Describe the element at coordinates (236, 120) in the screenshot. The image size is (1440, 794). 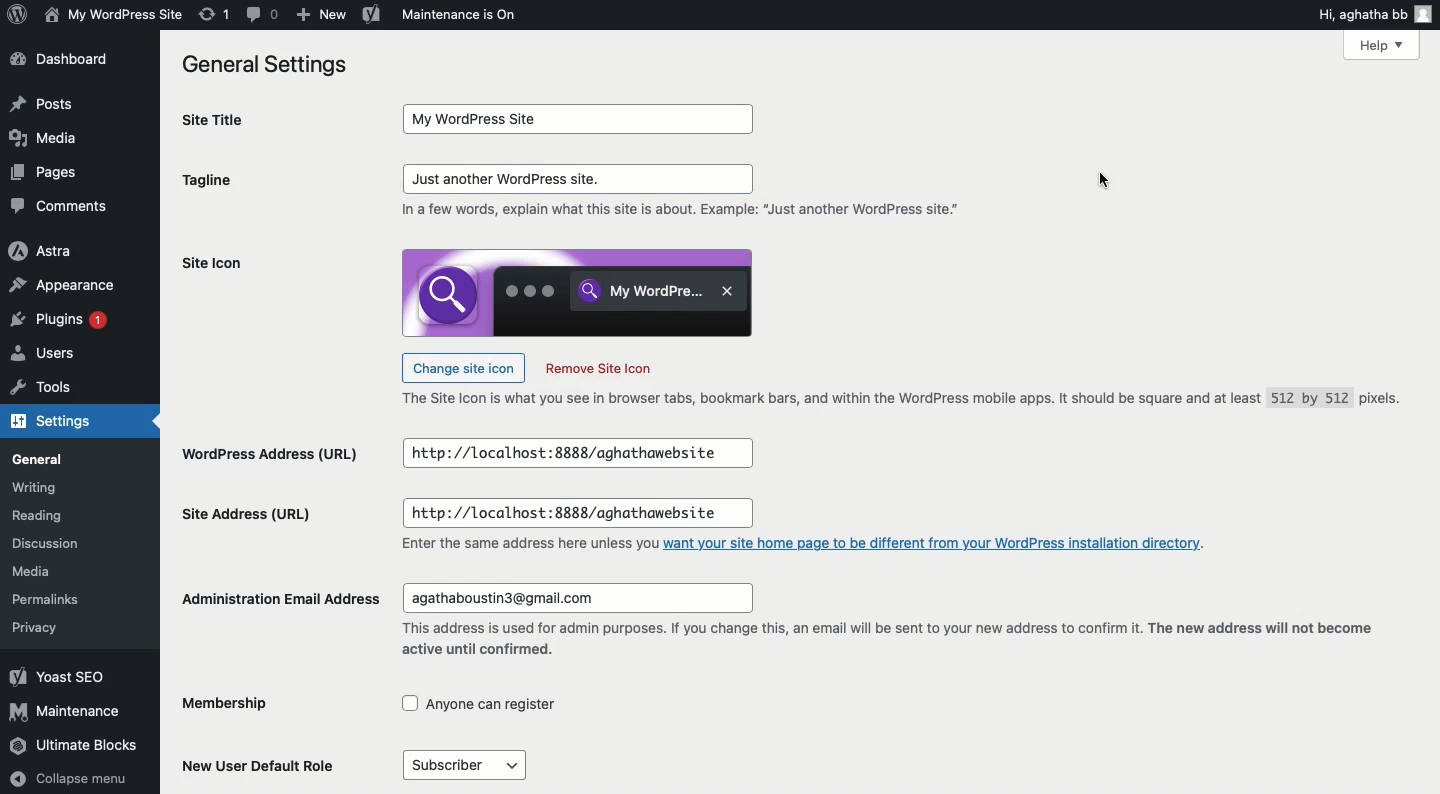
I see `Site title` at that location.